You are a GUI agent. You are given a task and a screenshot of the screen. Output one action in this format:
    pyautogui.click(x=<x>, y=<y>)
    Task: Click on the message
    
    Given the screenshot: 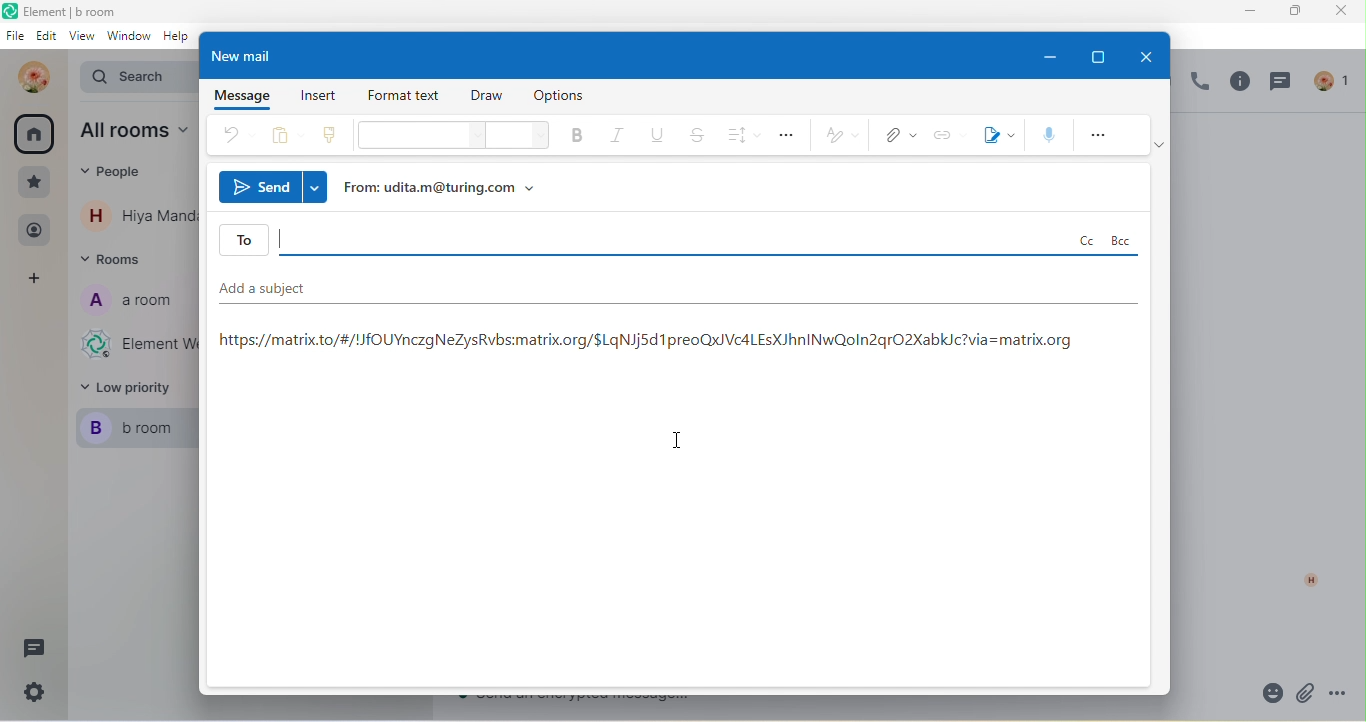 What is the action you would take?
    pyautogui.click(x=238, y=97)
    